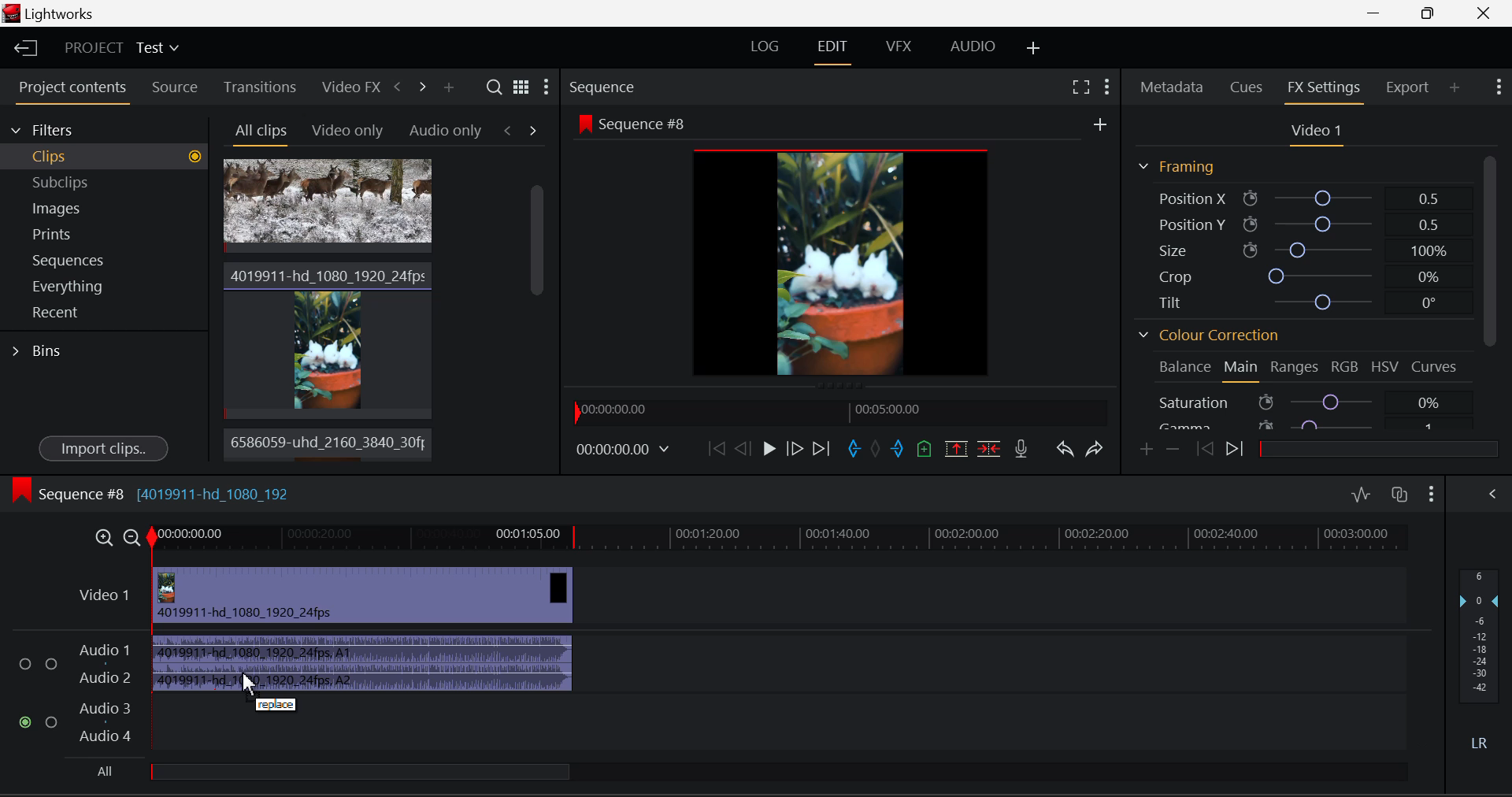 The width and height of the screenshot is (1512, 797). What do you see at coordinates (717, 447) in the screenshot?
I see `To Start` at bounding box center [717, 447].